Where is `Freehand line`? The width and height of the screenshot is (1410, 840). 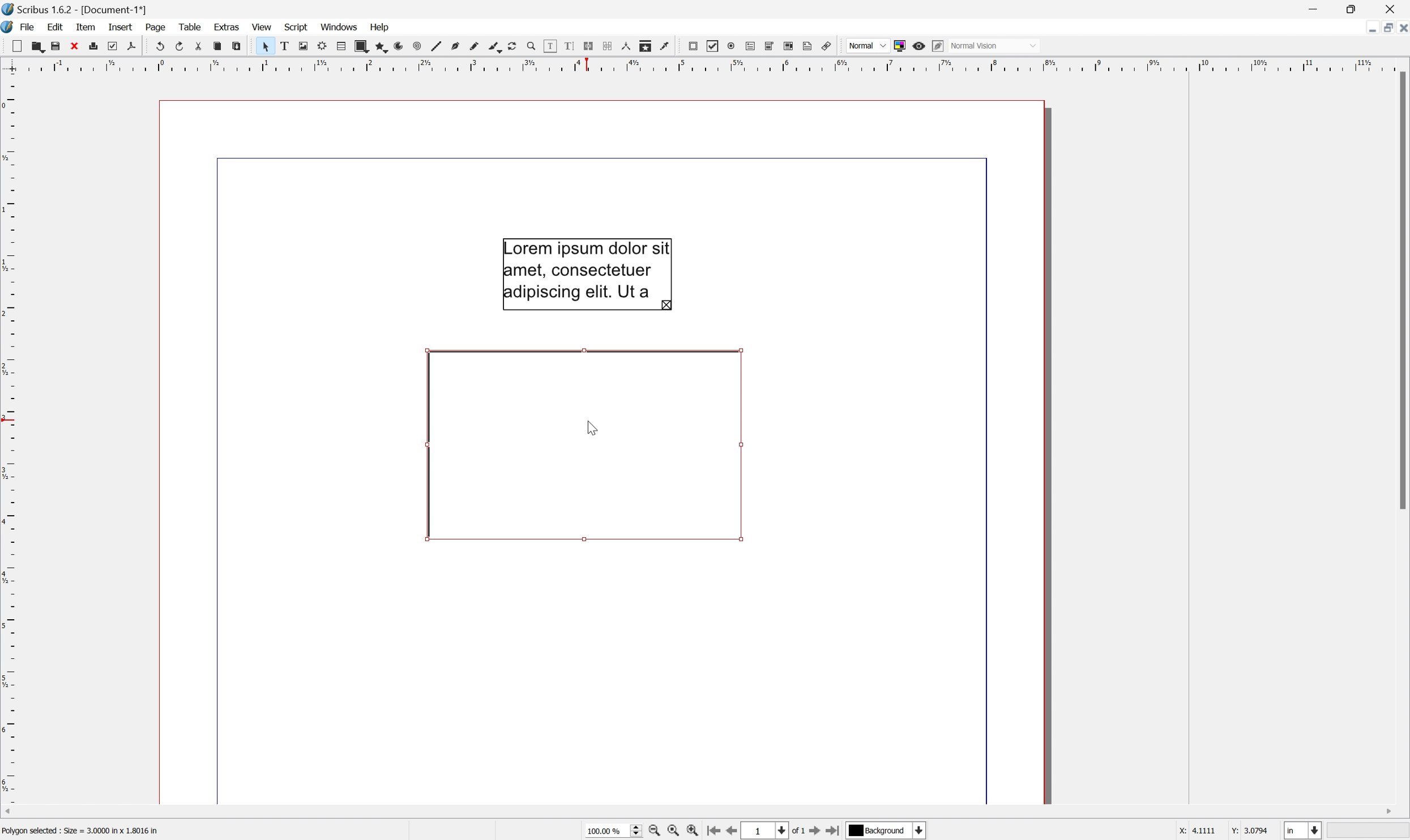 Freehand line is located at coordinates (473, 48).